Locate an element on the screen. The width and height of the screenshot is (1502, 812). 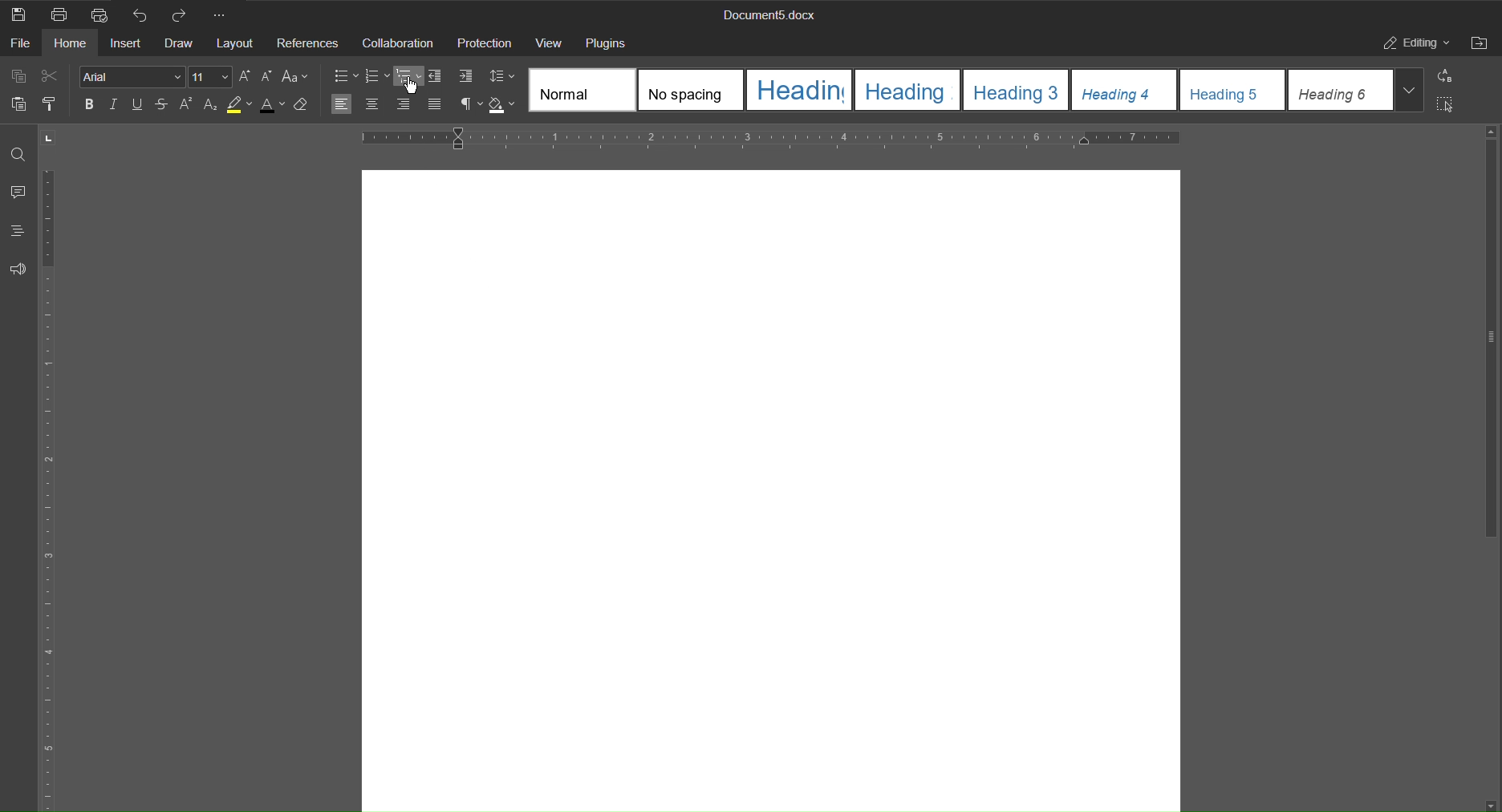
Heading 4 is located at coordinates (1127, 90).